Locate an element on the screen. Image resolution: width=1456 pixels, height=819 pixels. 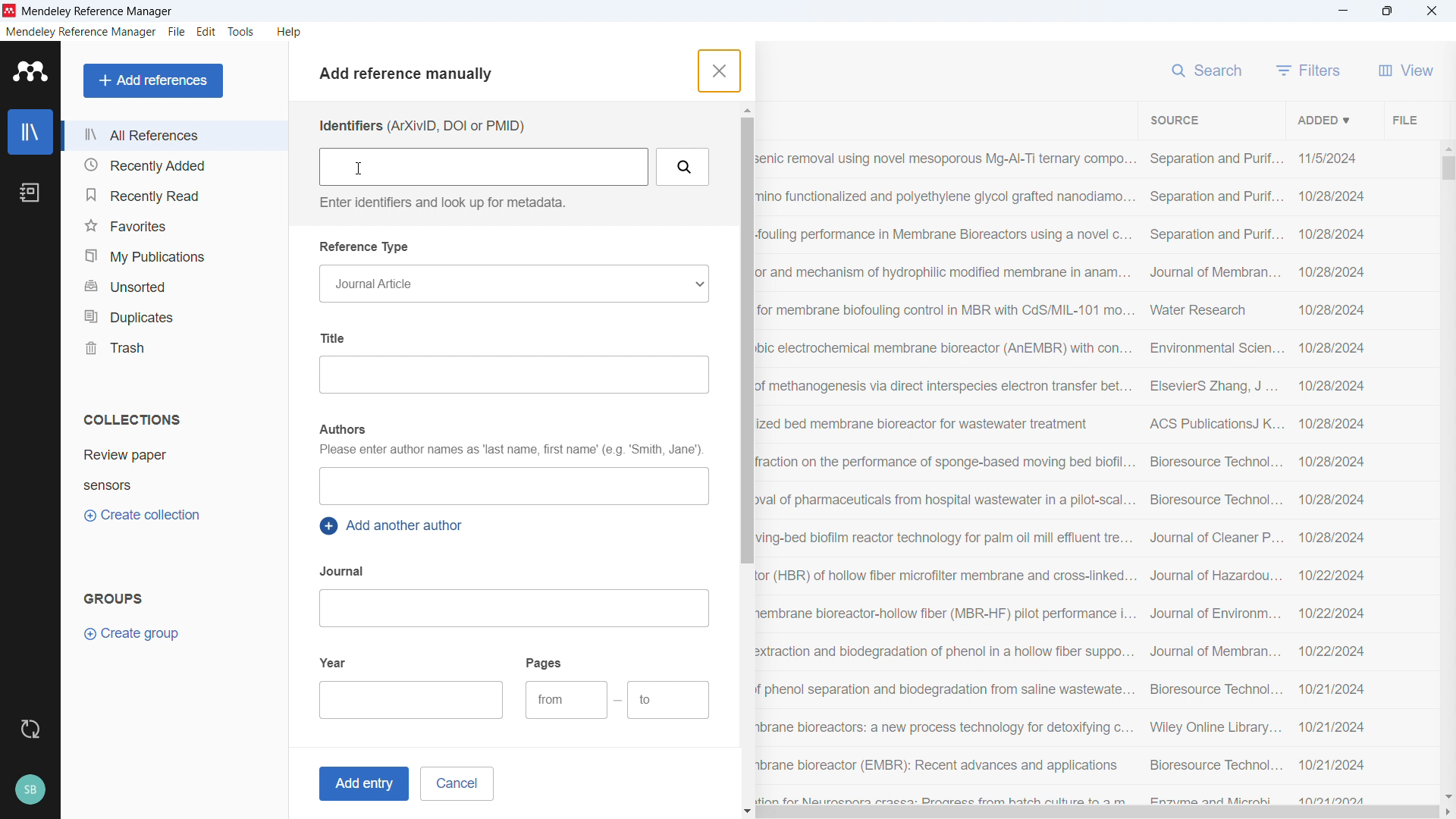
View  is located at coordinates (1406, 70).